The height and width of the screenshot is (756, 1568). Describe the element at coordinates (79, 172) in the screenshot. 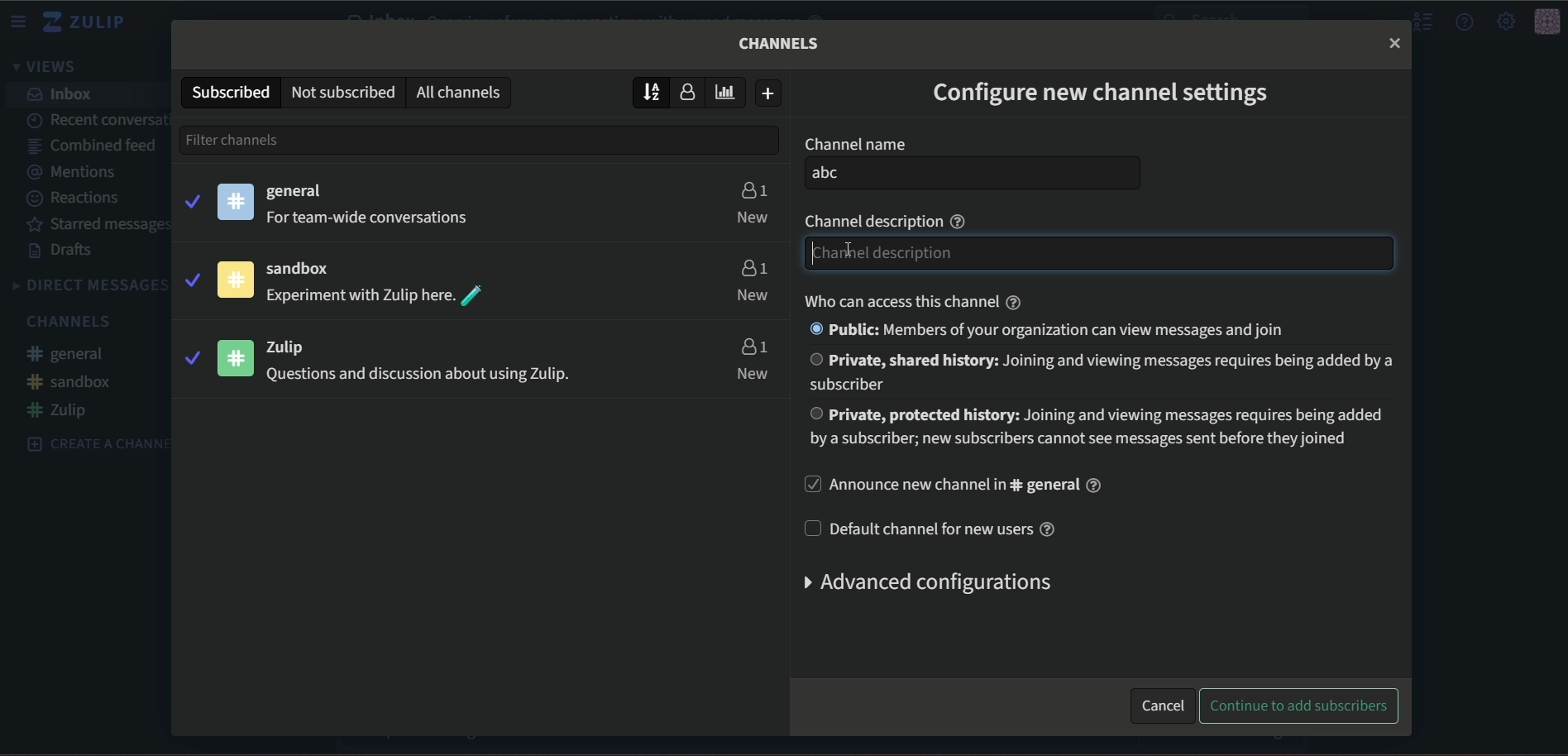

I see `mentions` at that location.